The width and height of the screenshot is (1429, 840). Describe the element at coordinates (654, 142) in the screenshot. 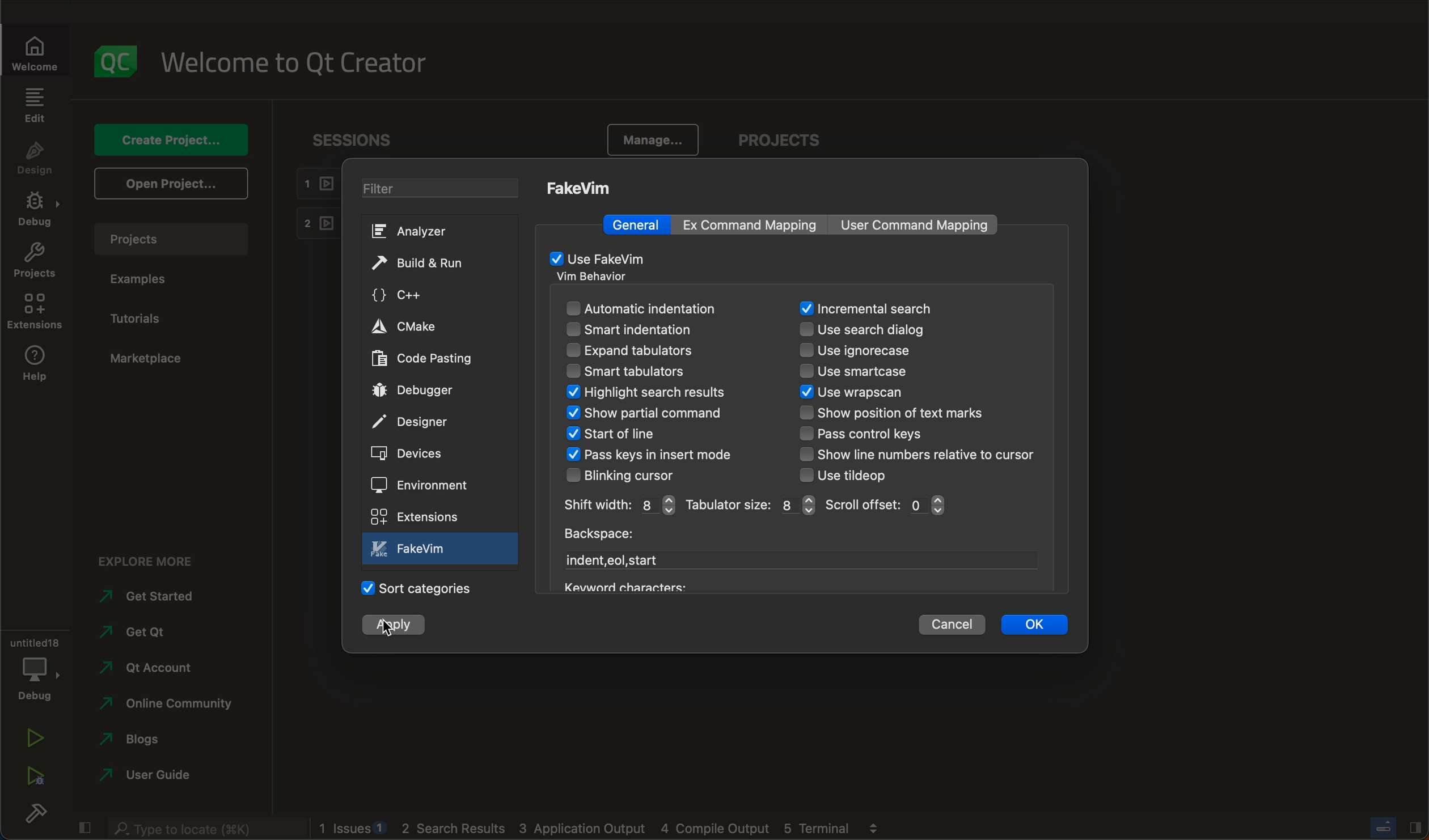

I see `manage` at that location.